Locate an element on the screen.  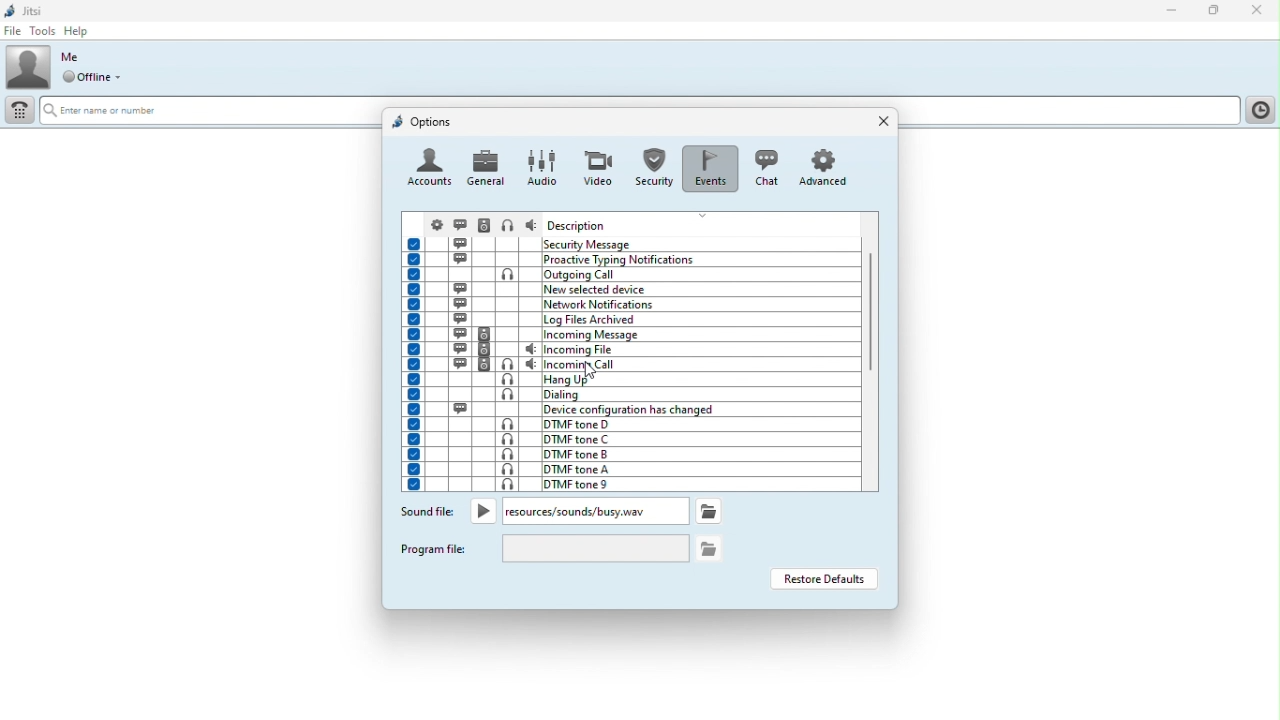
help is located at coordinates (80, 31).